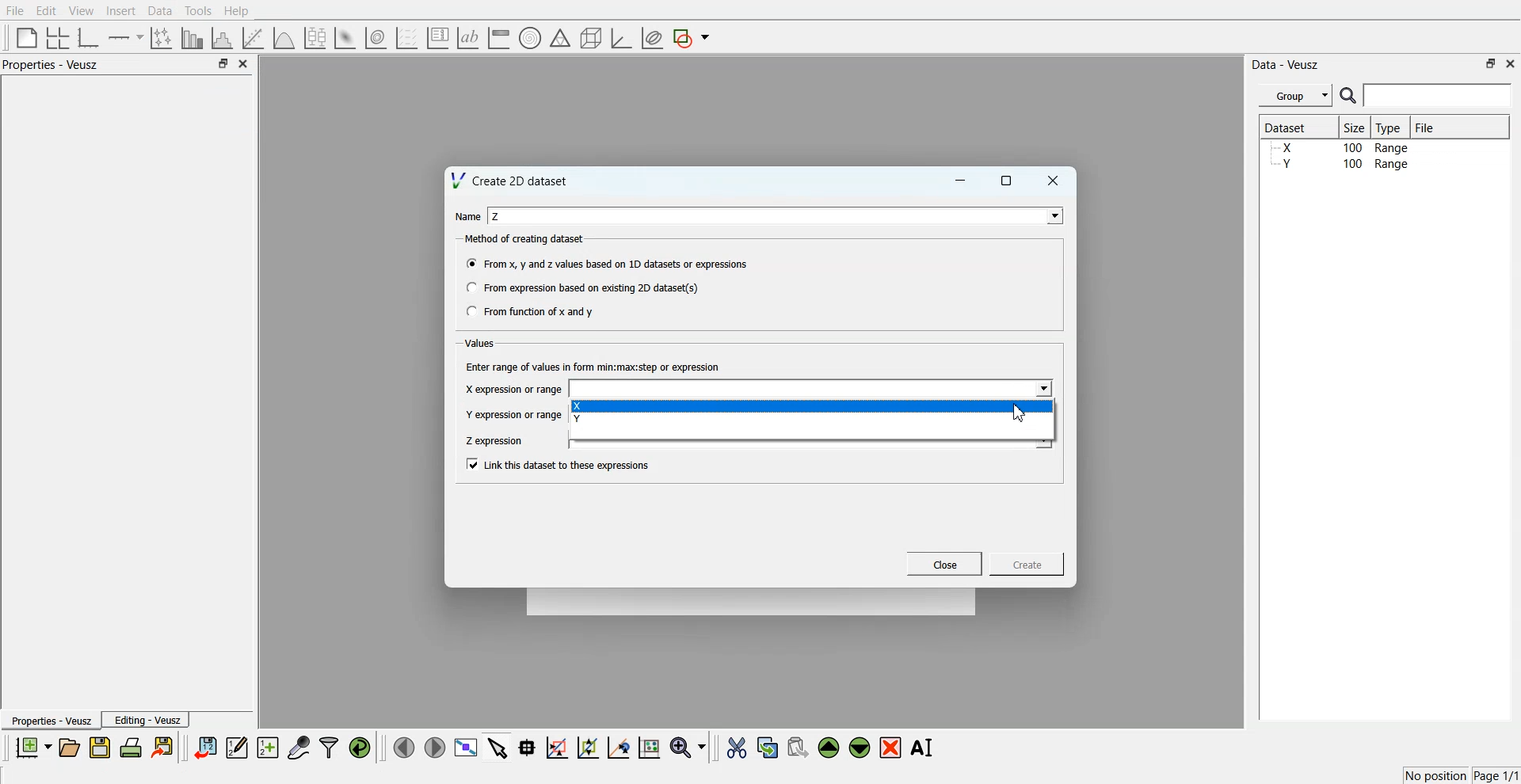 This screenshot has width=1521, height=784. Describe the element at coordinates (375, 38) in the screenshot. I see `3D Volume` at that location.